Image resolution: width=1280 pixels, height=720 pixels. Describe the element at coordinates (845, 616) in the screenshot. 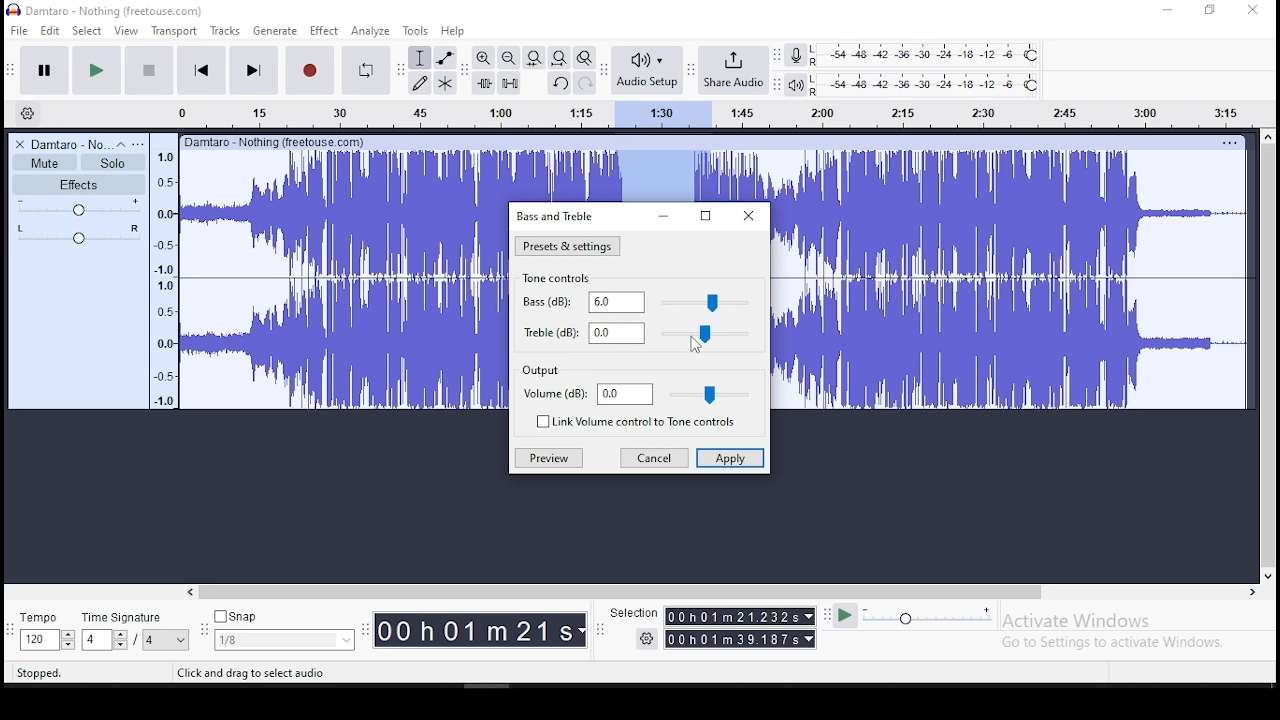

I see `Play` at that location.